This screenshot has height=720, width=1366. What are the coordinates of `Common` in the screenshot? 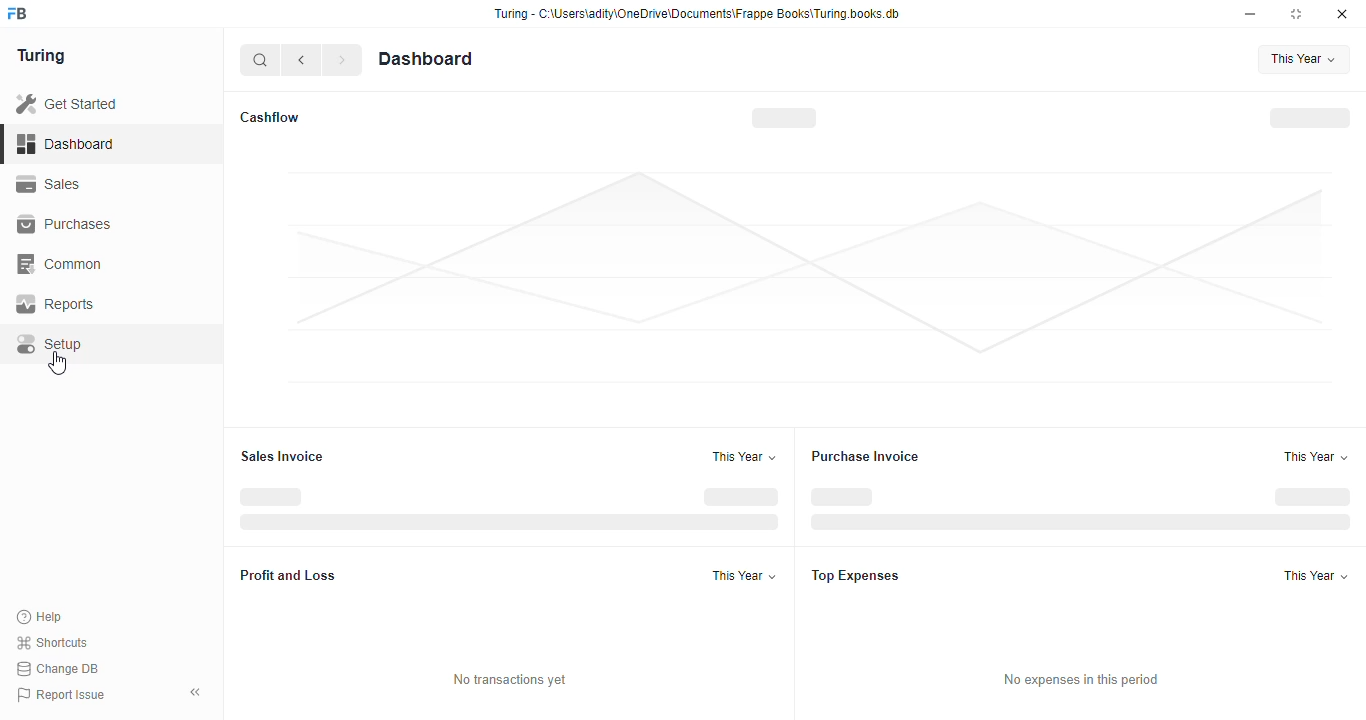 It's located at (108, 262).